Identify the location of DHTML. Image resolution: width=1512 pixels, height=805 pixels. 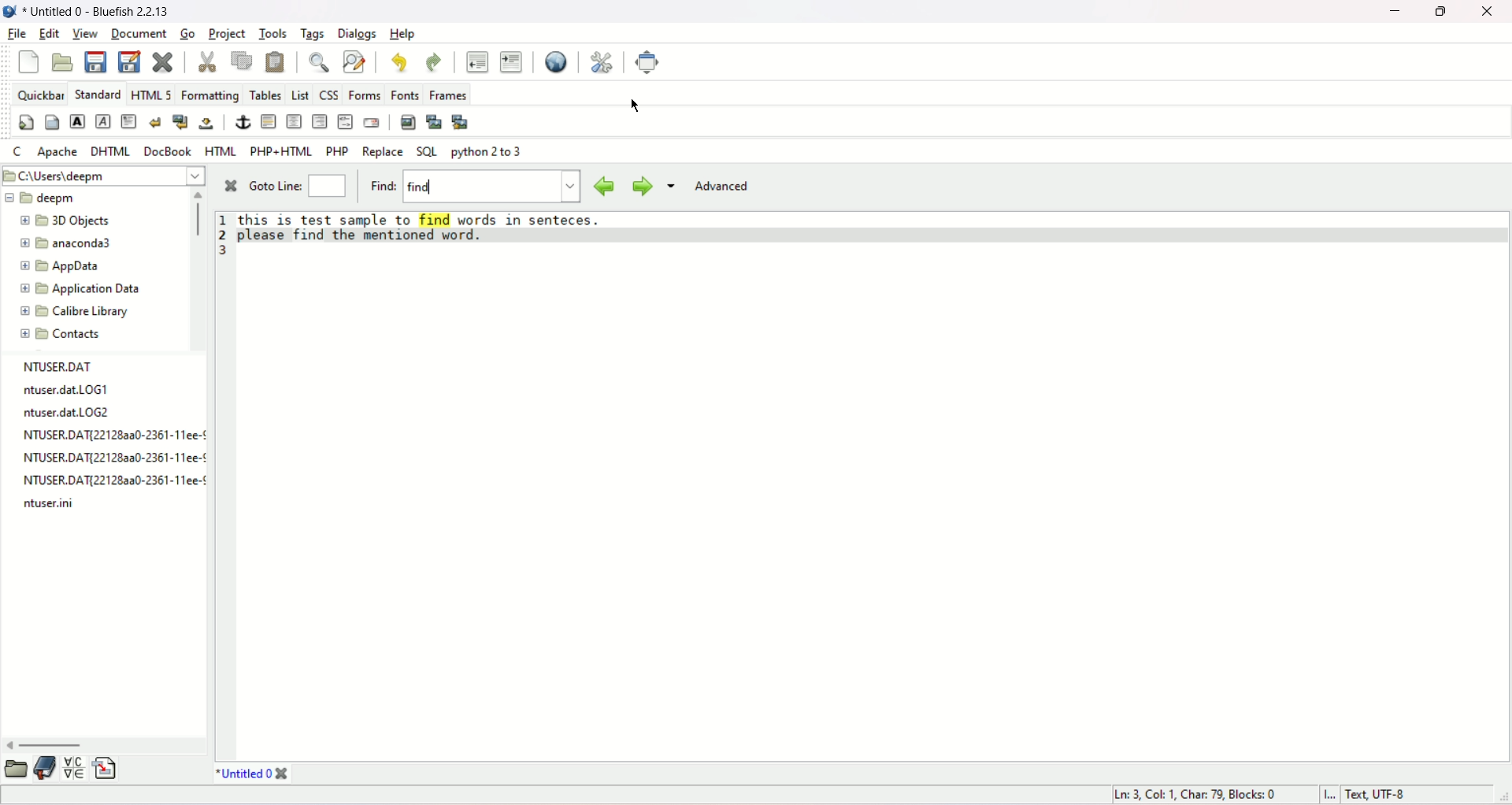
(109, 152).